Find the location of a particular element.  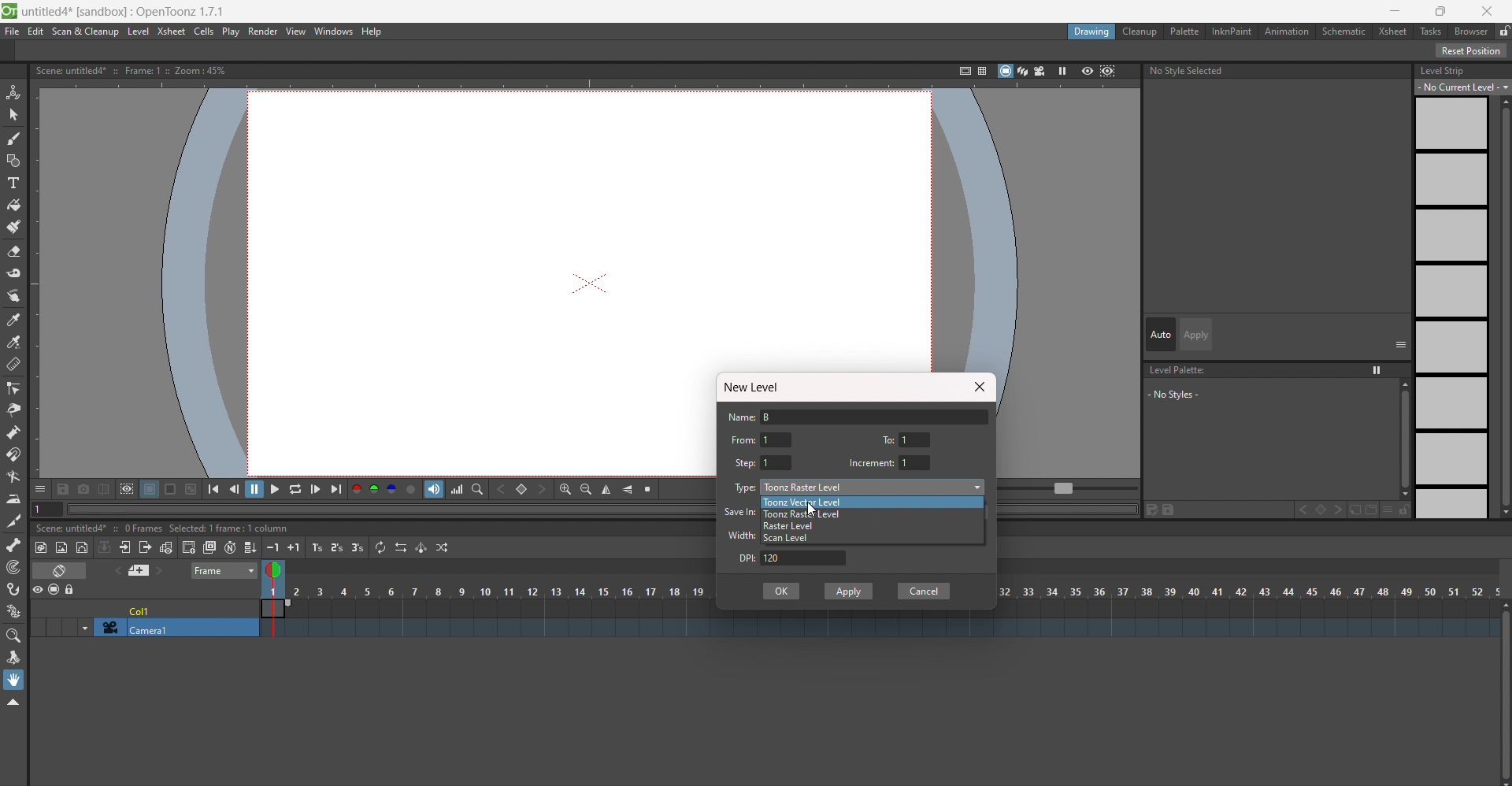

raster level is located at coordinates (789, 527).